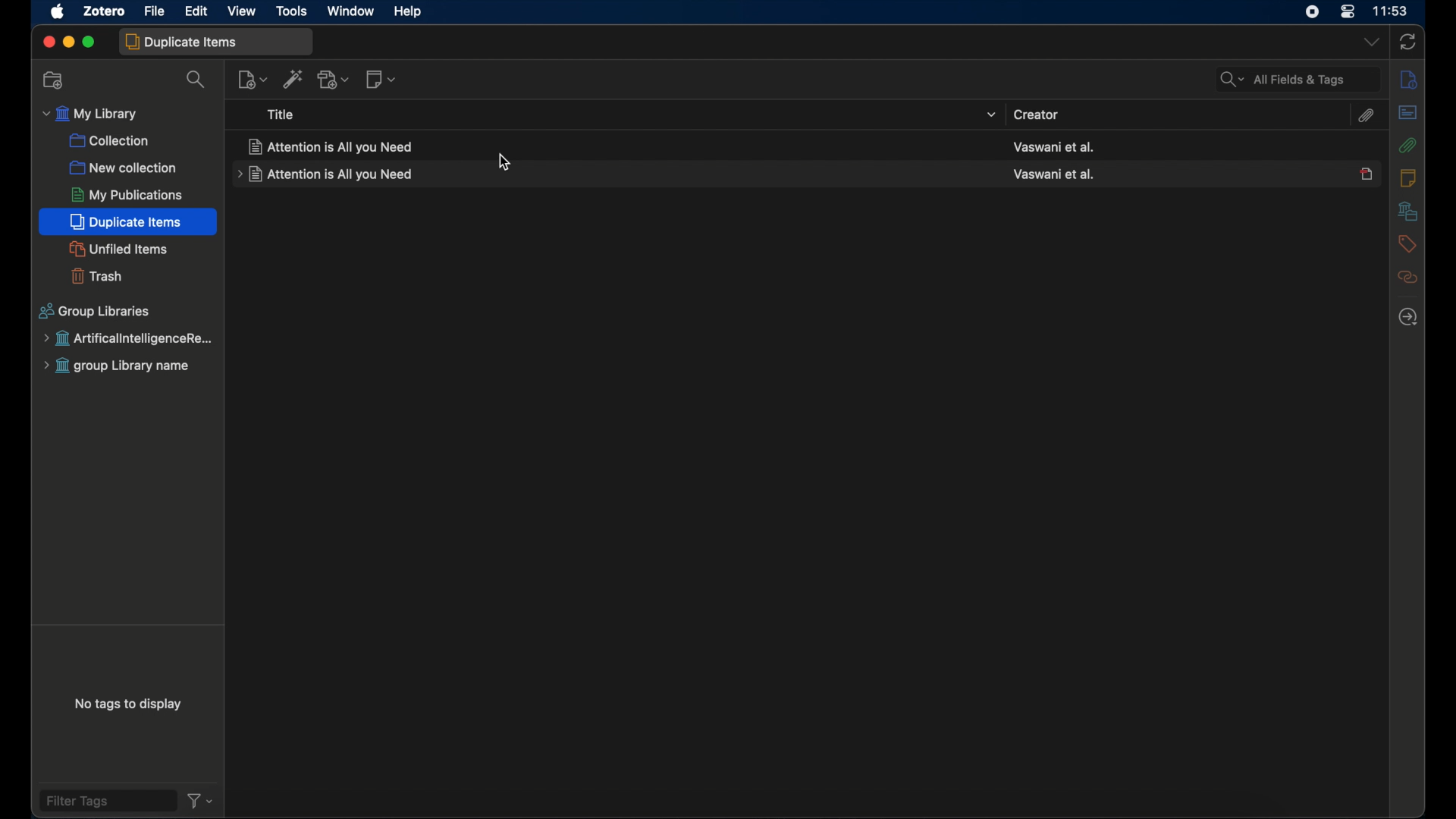 This screenshot has height=819, width=1456. I want to click on screen recorder icon, so click(1310, 11).